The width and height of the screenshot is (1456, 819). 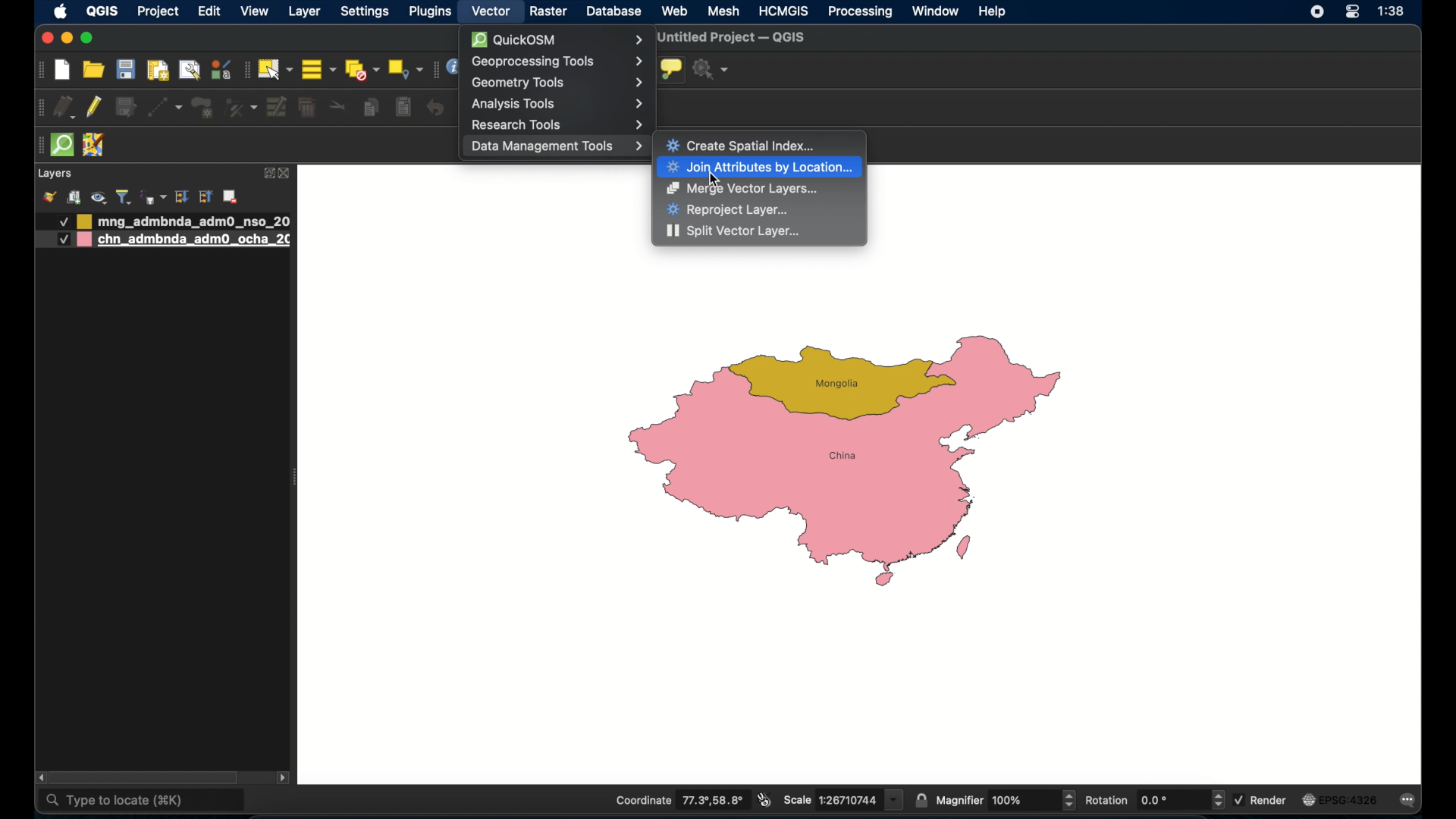 What do you see at coordinates (62, 240) in the screenshot?
I see `` at bounding box center [62, 240].